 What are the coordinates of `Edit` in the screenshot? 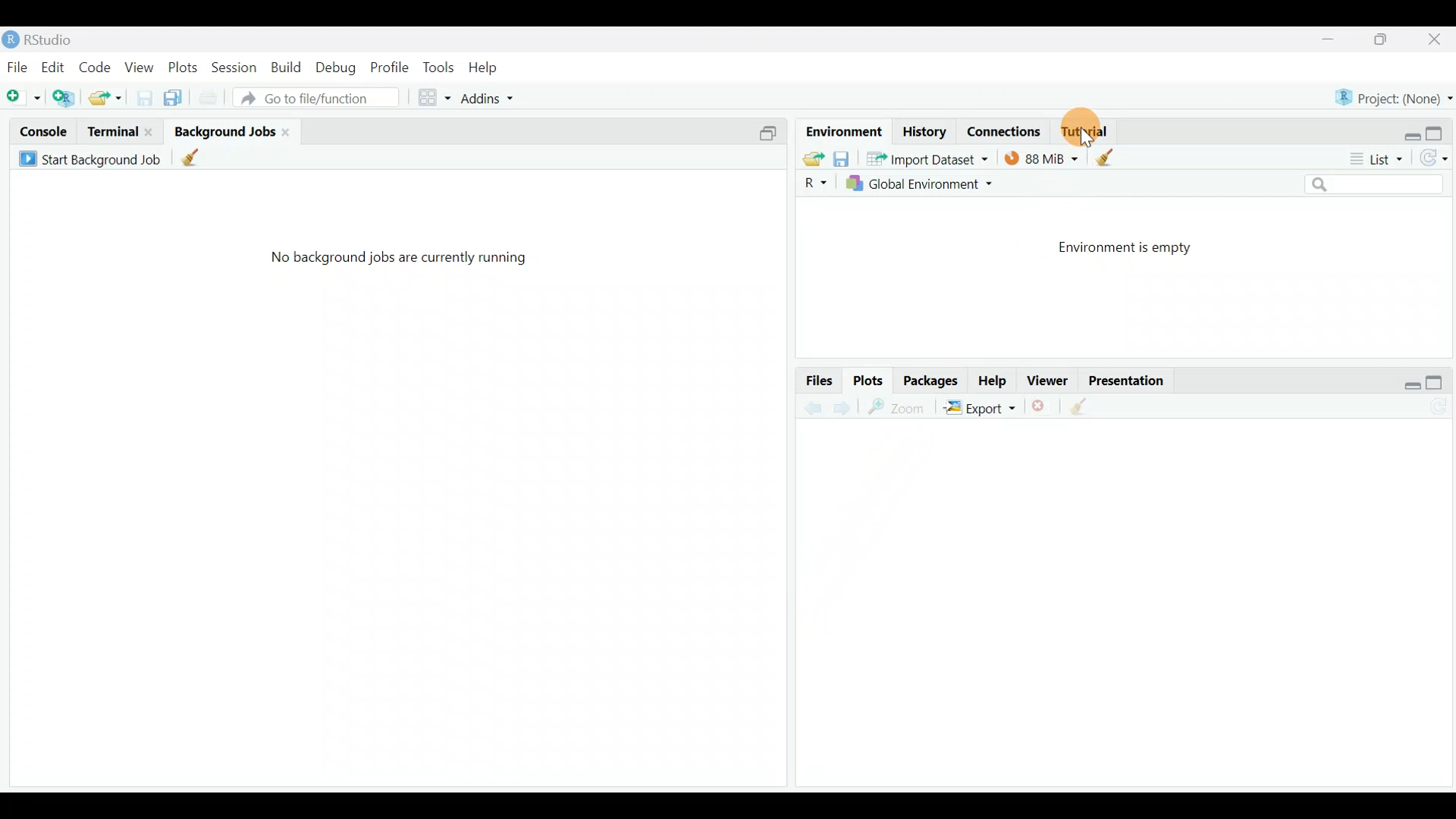 It's located at (54, 70).